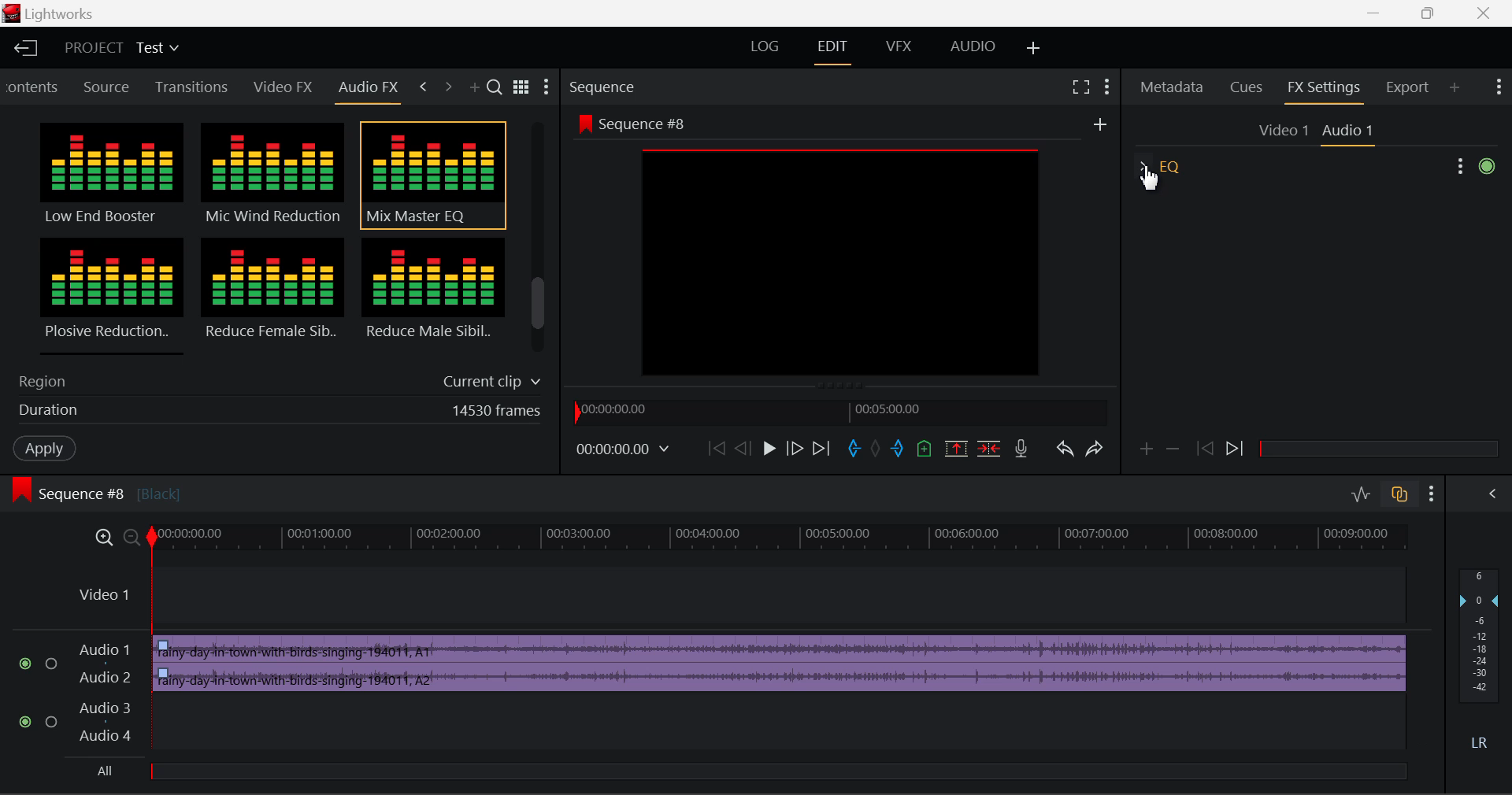 The height and width of the screenshot is (795, 1512). I want to click on Close, so click(1476, 13).